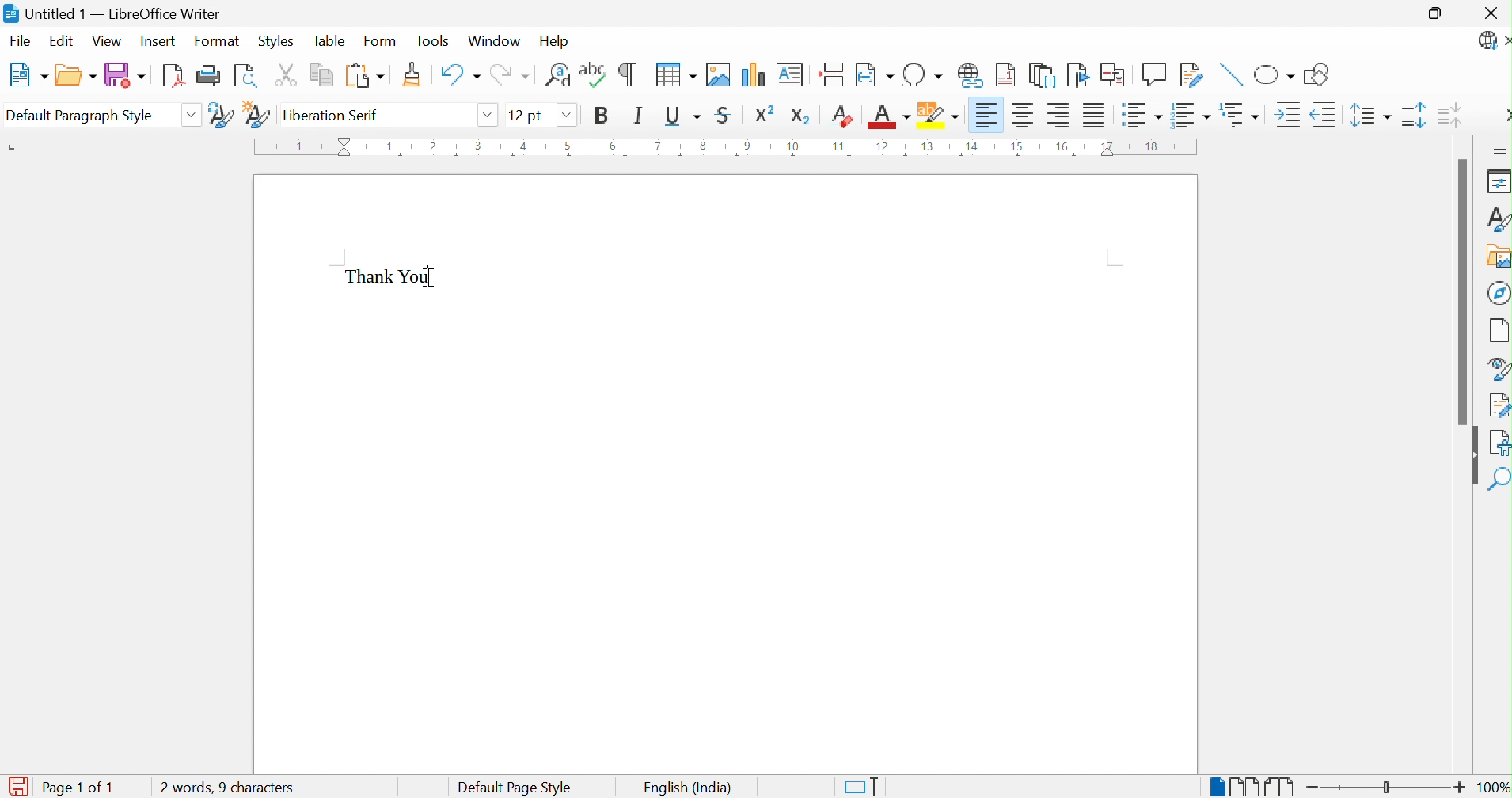 The height and width of the screenshot is (798, 1512). Describe the element at coordinates (1059, 113) in the screenshot. I see `Align Right` at that location.